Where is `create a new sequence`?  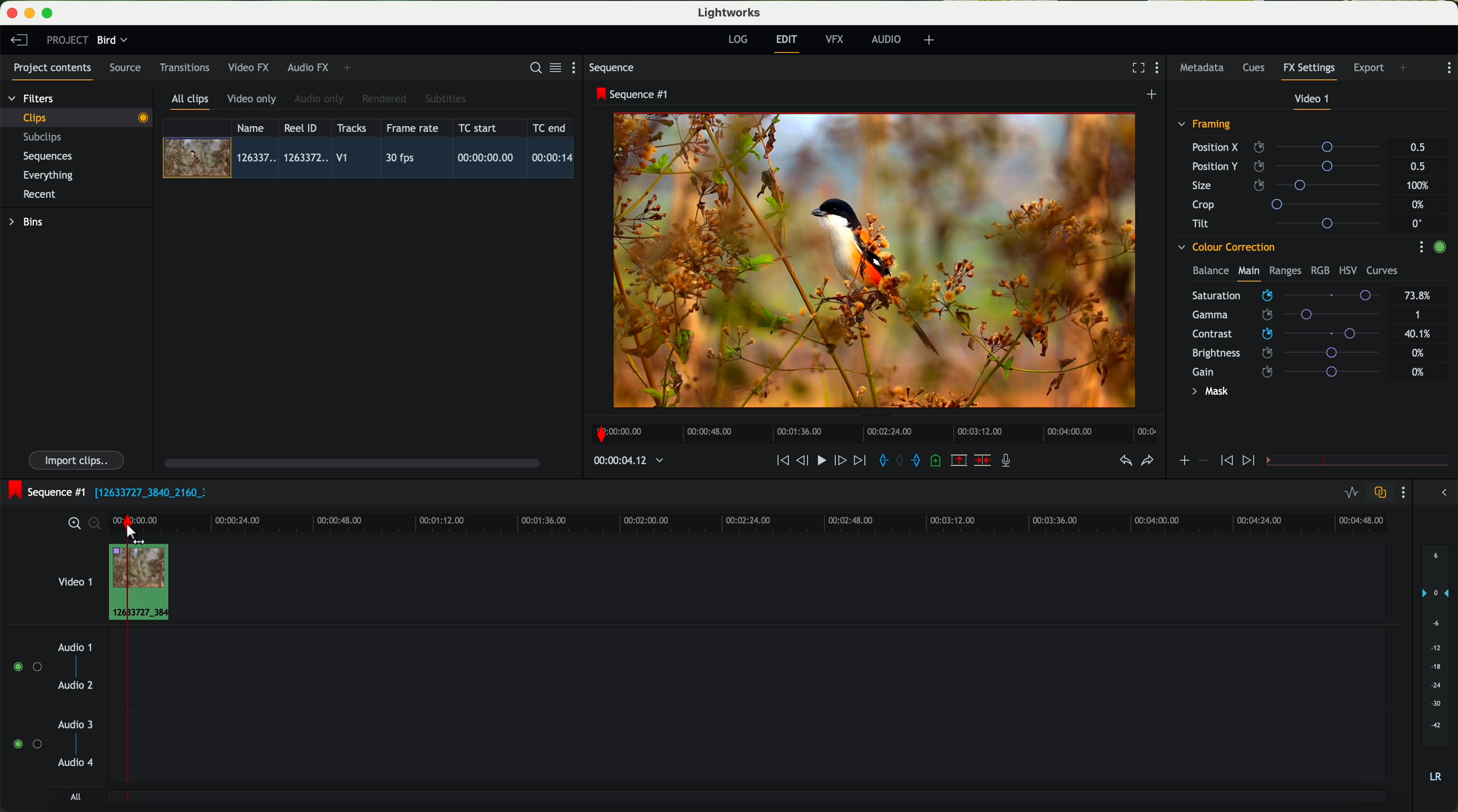 create a new sequence is located at coordinates (1153, 95).